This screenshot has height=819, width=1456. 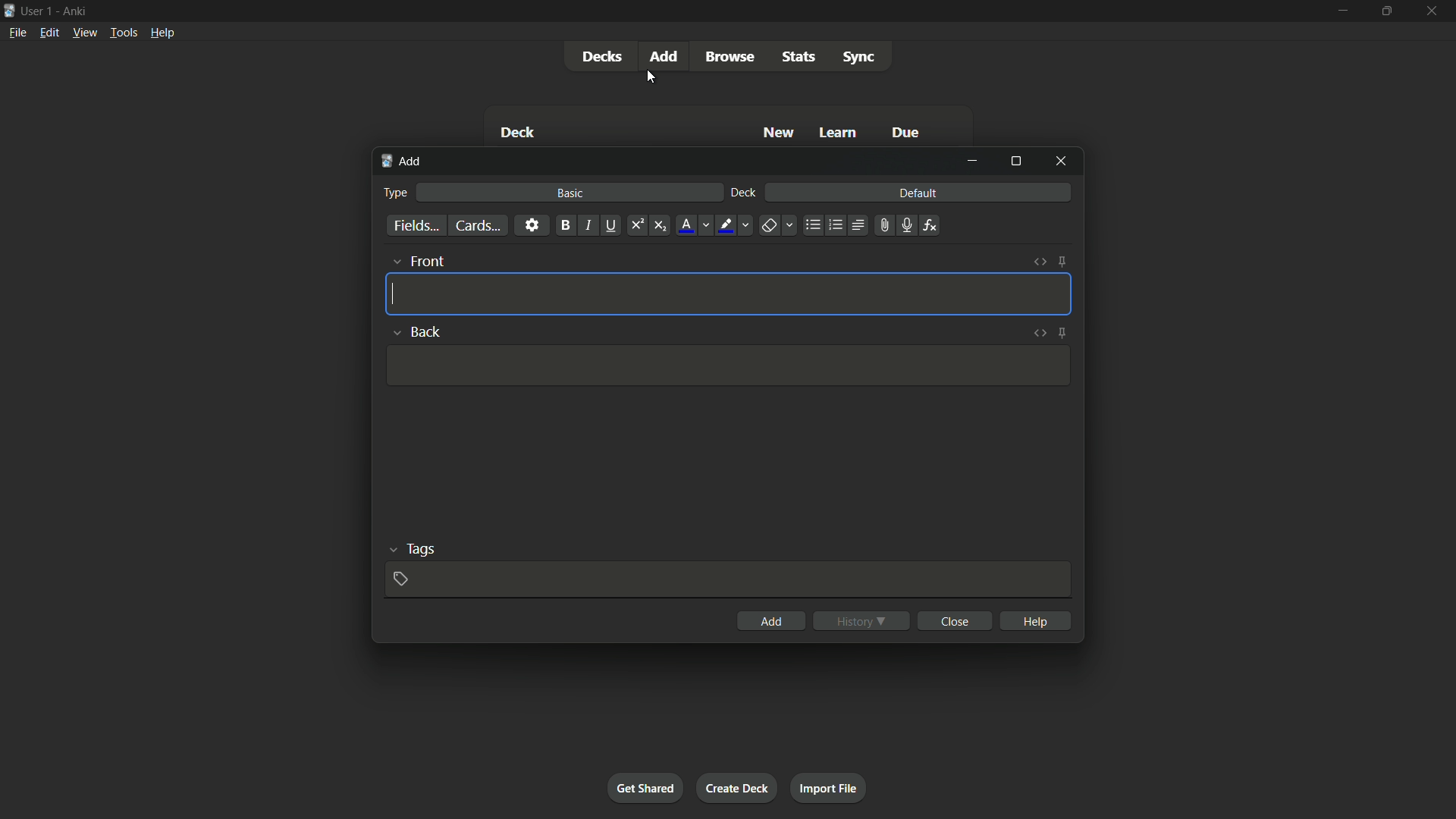 What do you see at coordinates (660, 226) in the screenshot?
I see `subscript` at bounding box center [660, 226].